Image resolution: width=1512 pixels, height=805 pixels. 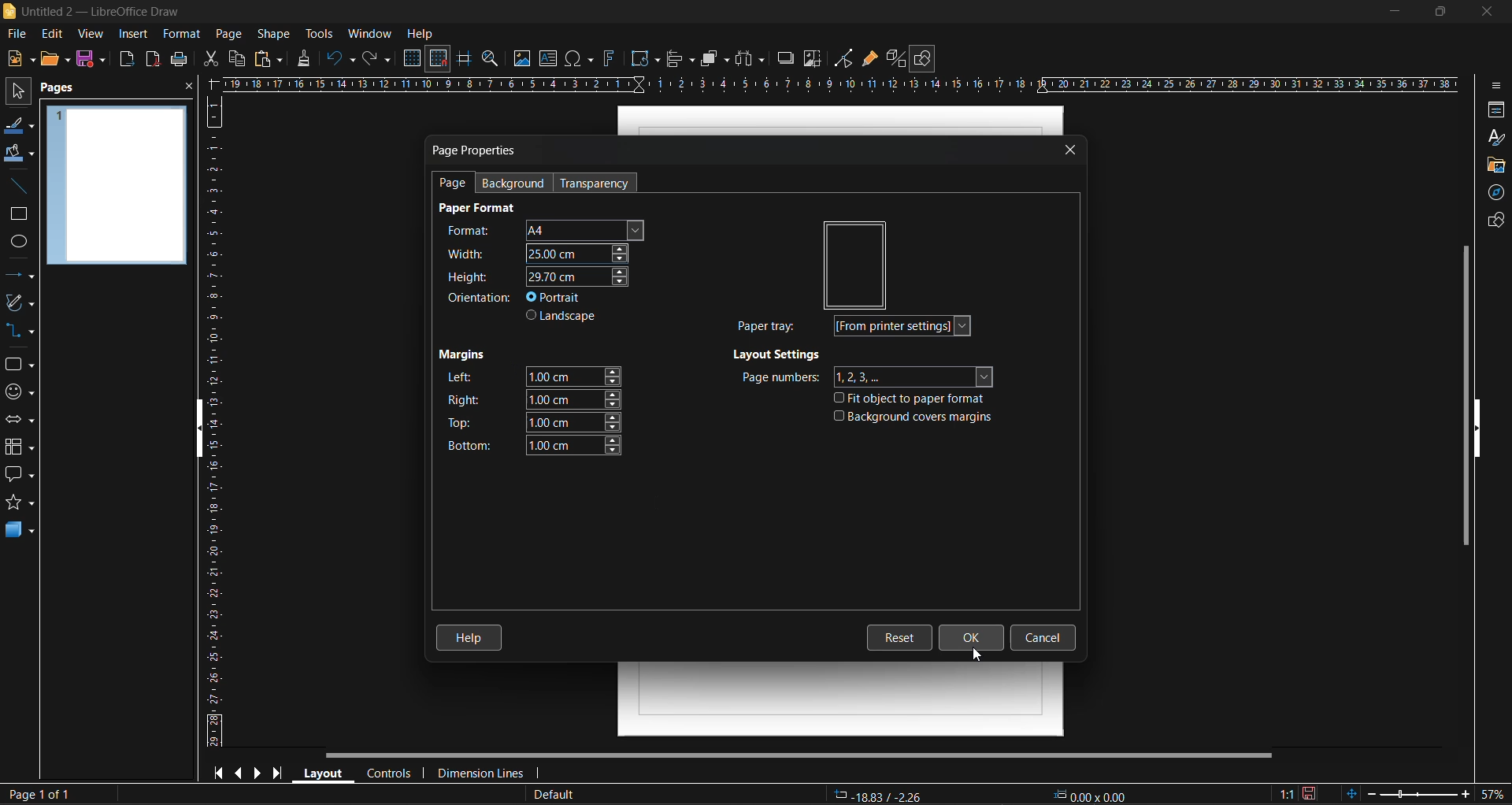 What do you see at coordinates (187, 88) in the screenshot?
I see `close` at bounding box center [187, 88].